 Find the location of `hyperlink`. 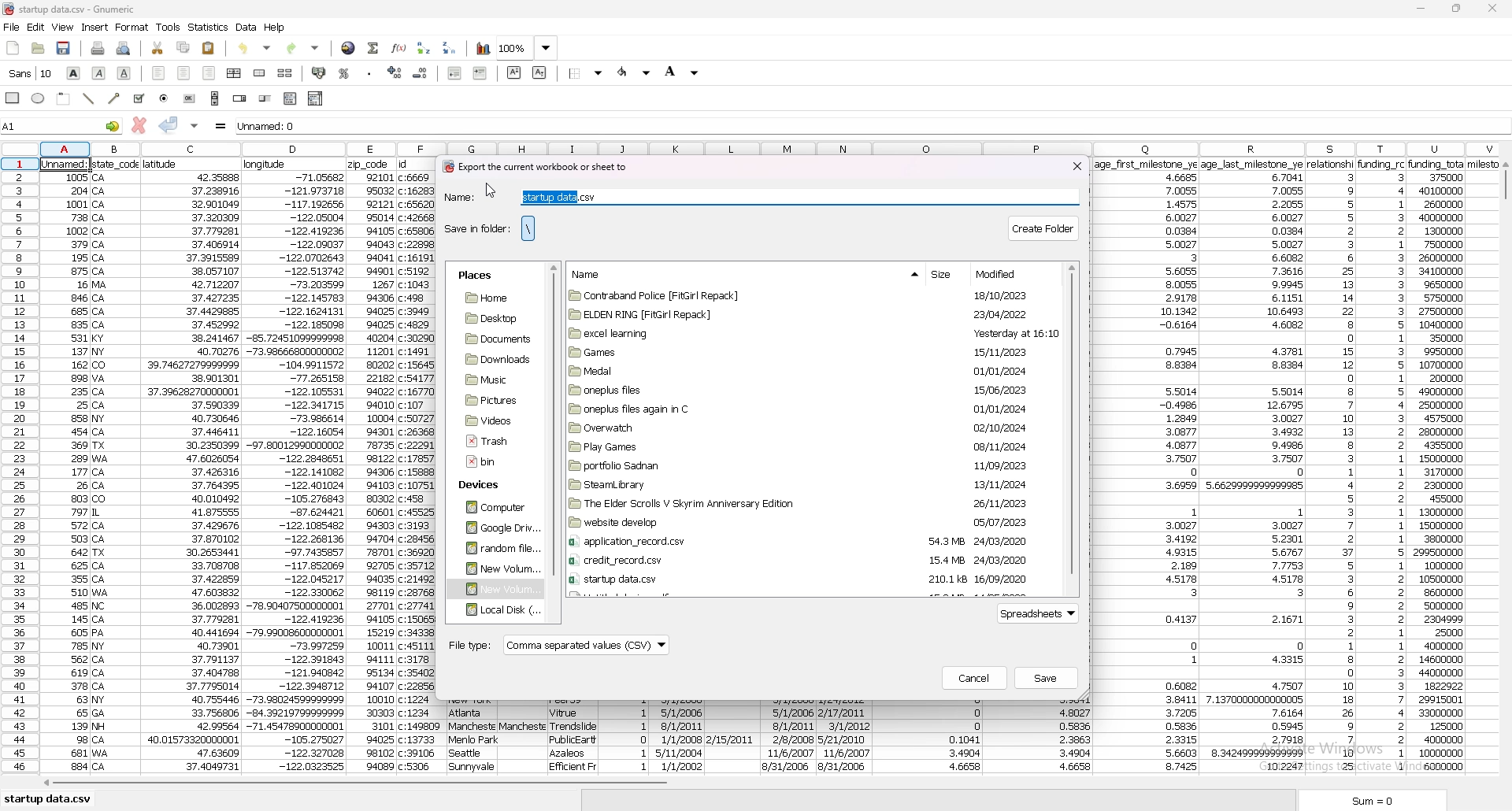

hyperlink is located at coordinates (349, 47).